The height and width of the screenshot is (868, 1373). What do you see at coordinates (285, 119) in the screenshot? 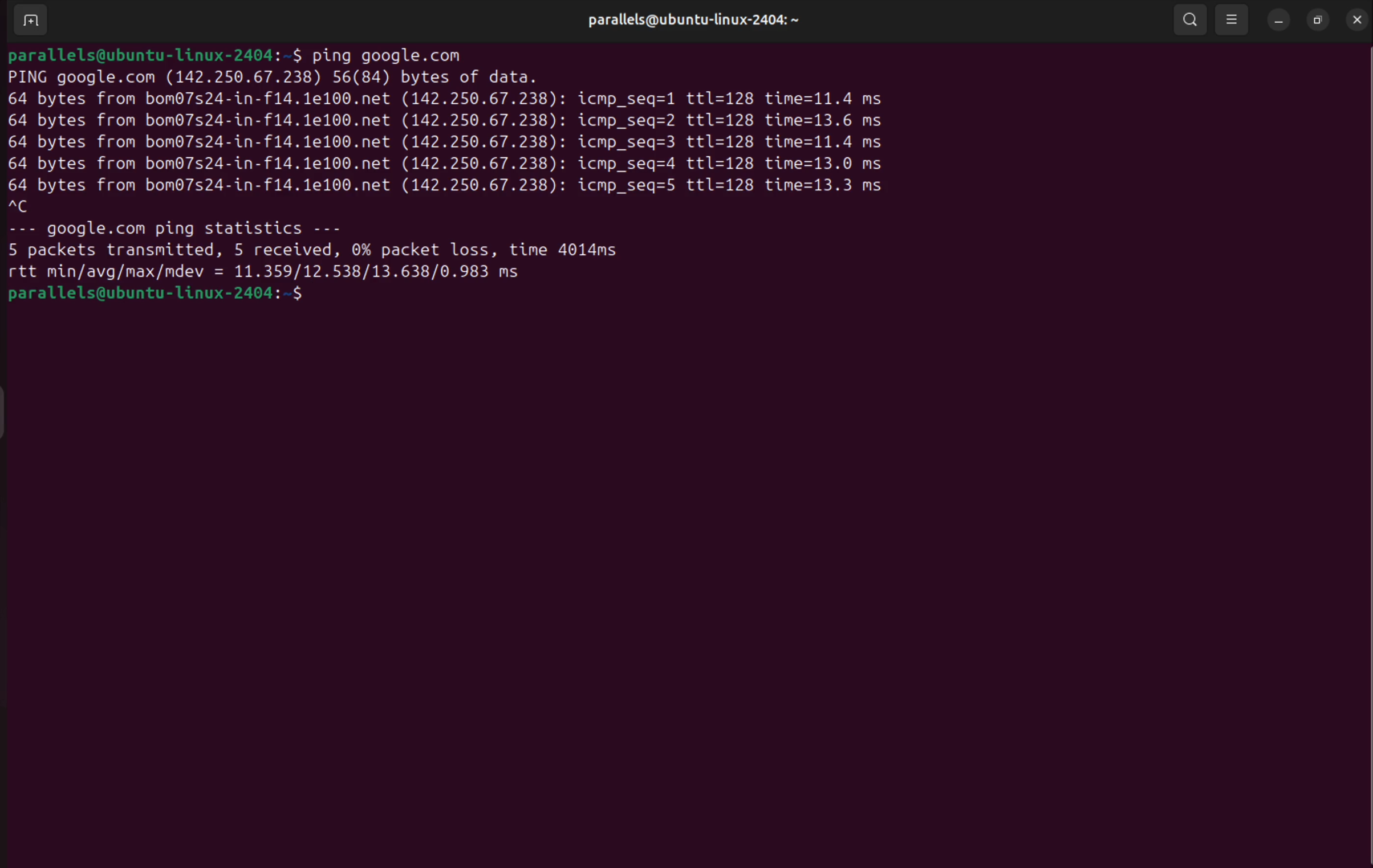
I see `64 bytes from bom poert .net` at bounding box center [285, 119].